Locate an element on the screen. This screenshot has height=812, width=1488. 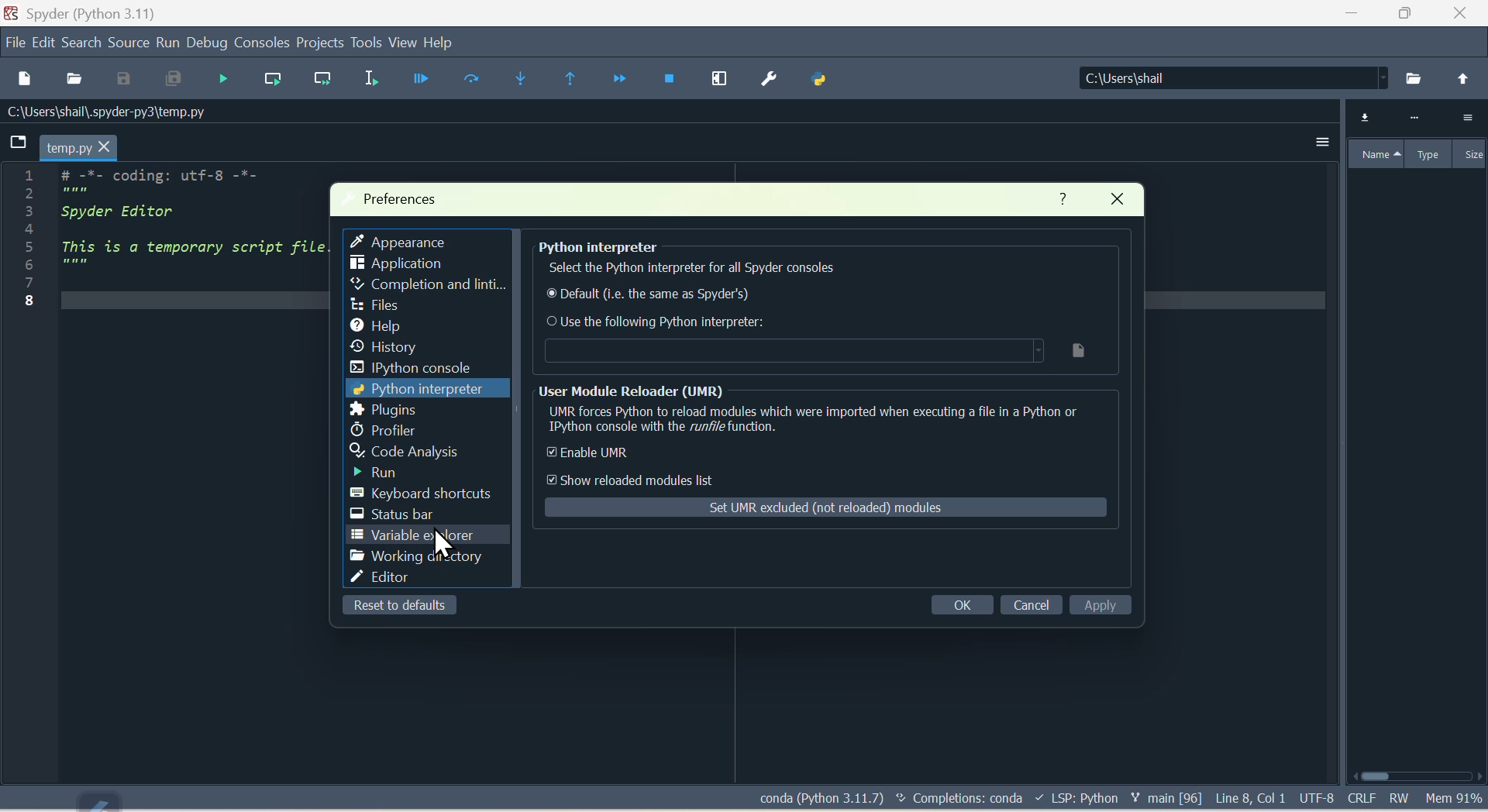
New files is located at coordinates (24, 77).